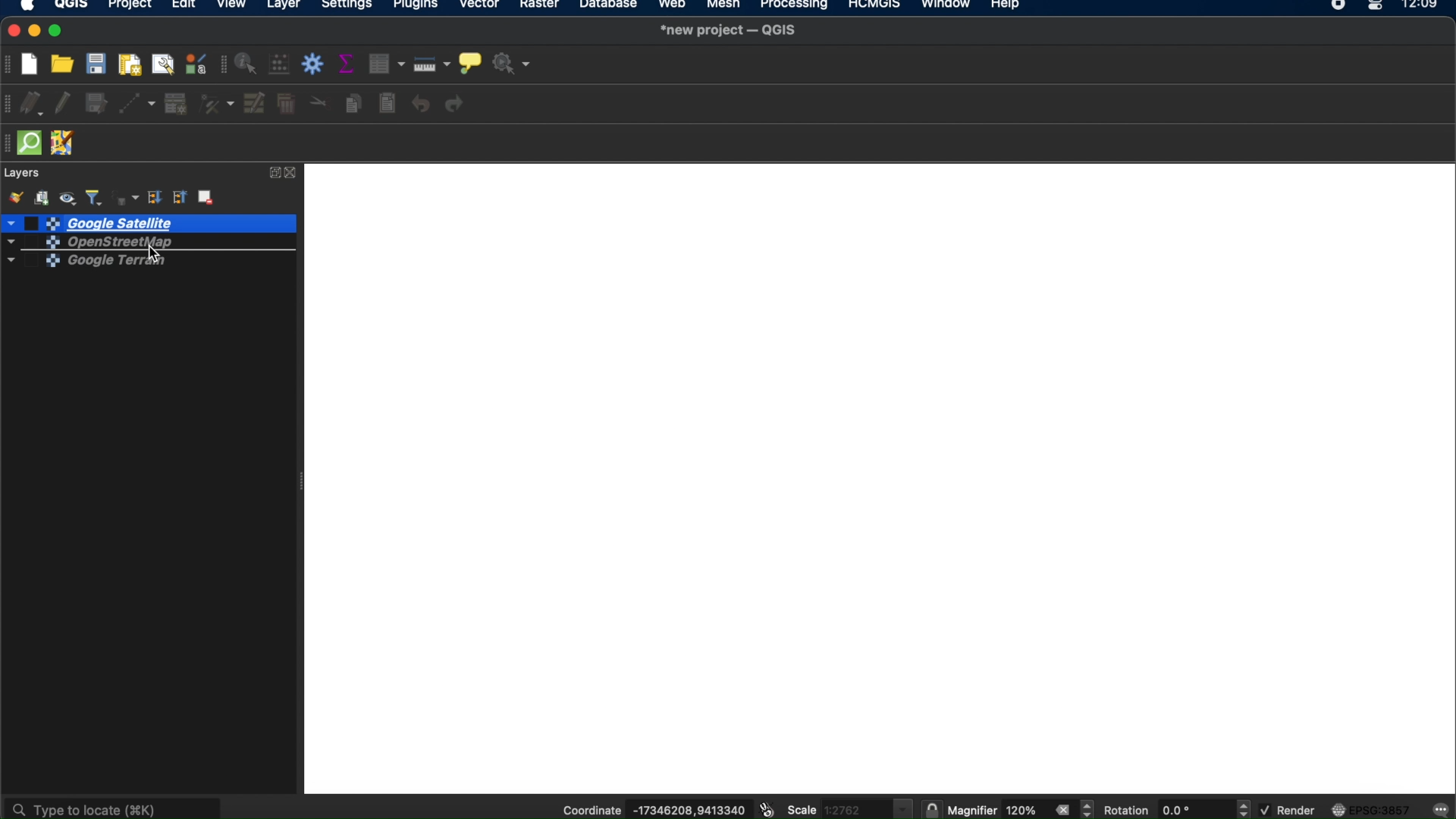 This screenshot has height=819, width=1456. What do you see at coordinates (131, 64) in the screenshot?
I see `new print layout` at bounding box center [131, 64].